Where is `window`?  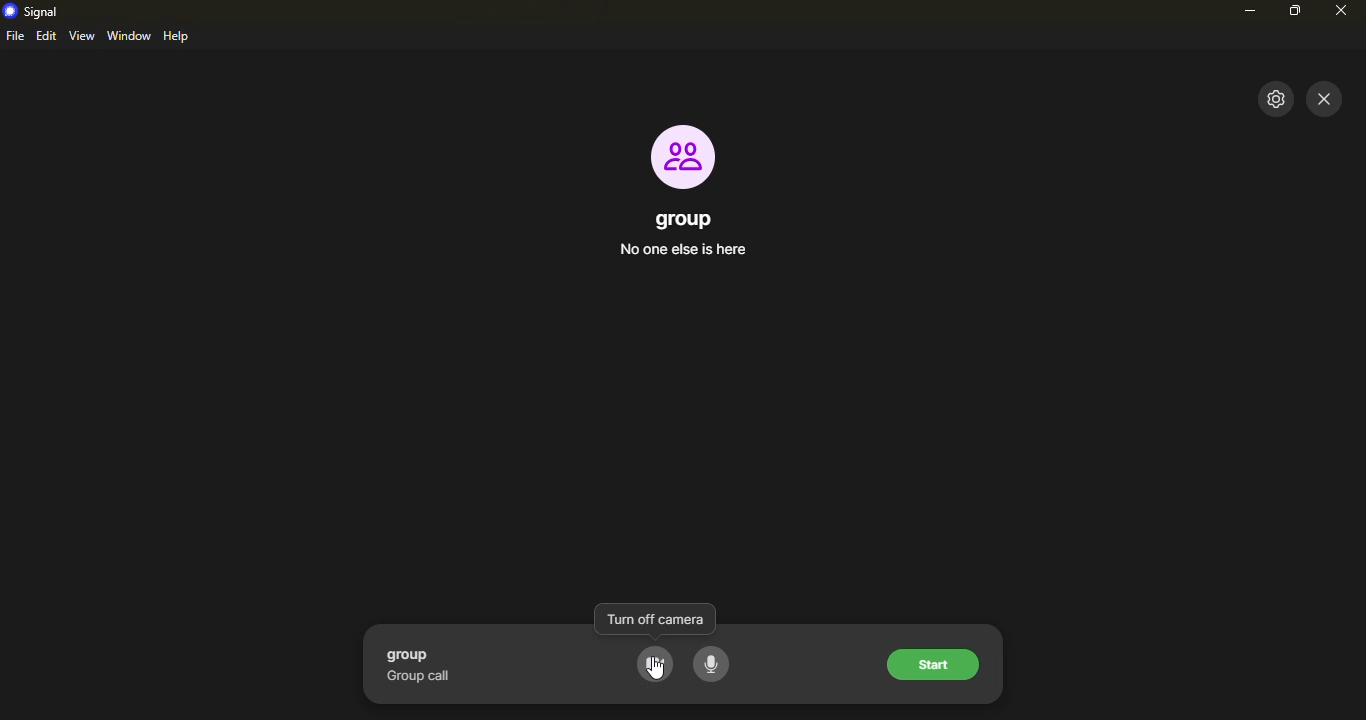 window is located at coordinates (130, 36).